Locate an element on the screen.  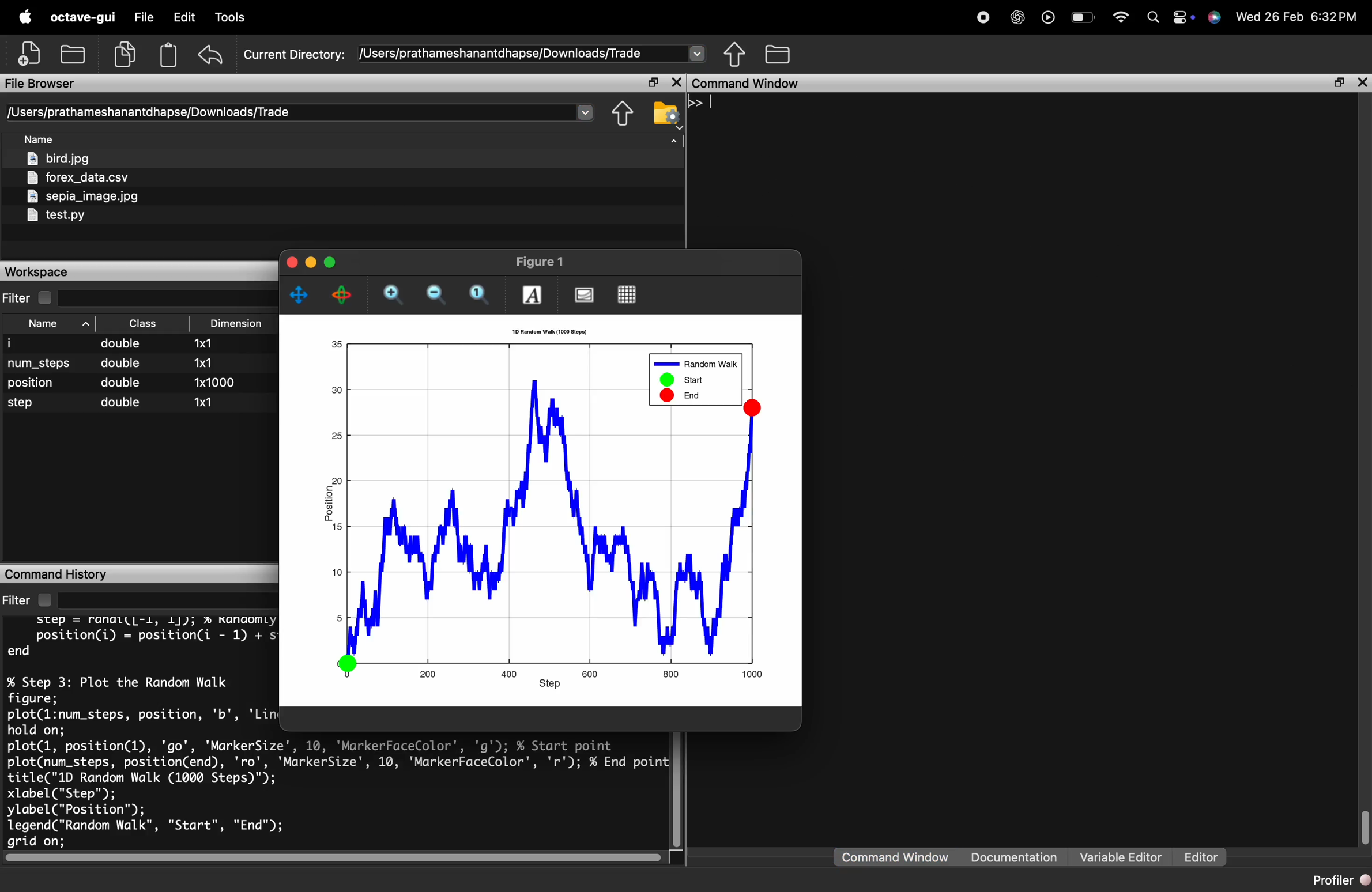
command window is located at coordinates (896, 857).